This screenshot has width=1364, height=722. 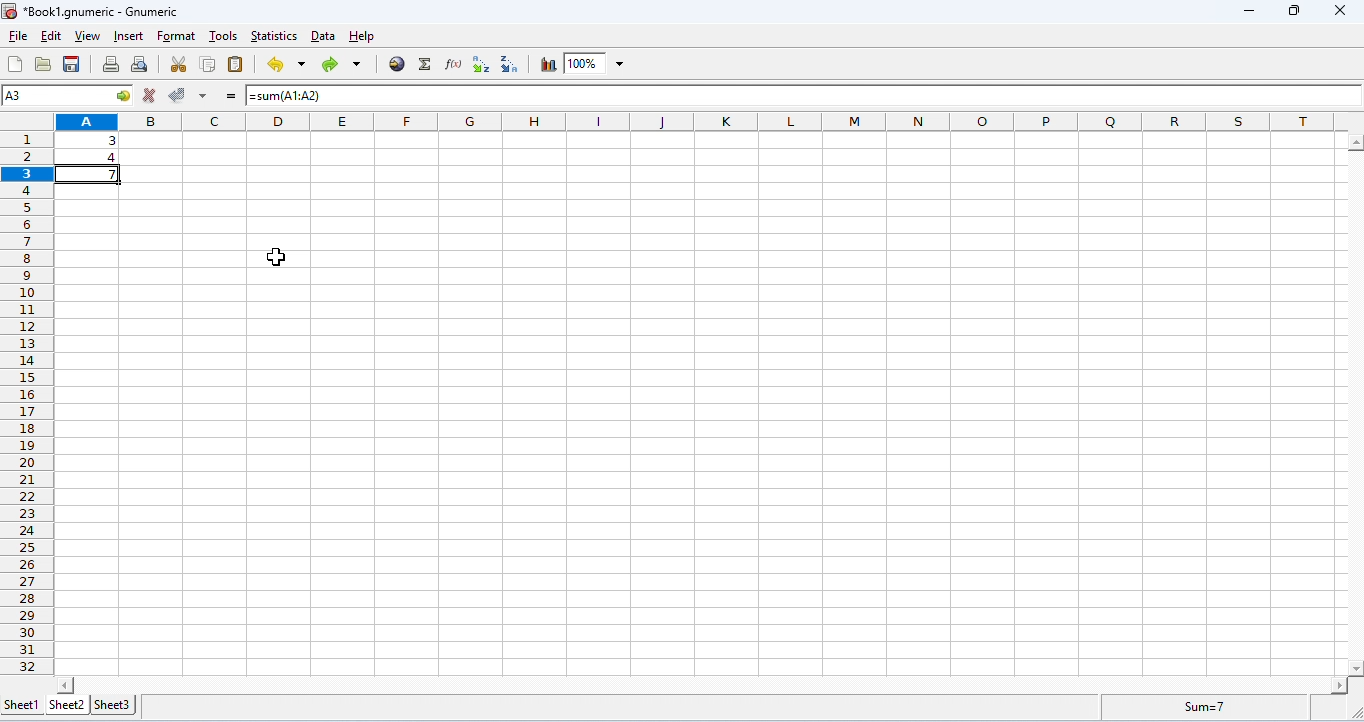 I want to click on =sum(A1:A2), so click(x=308, y=96).